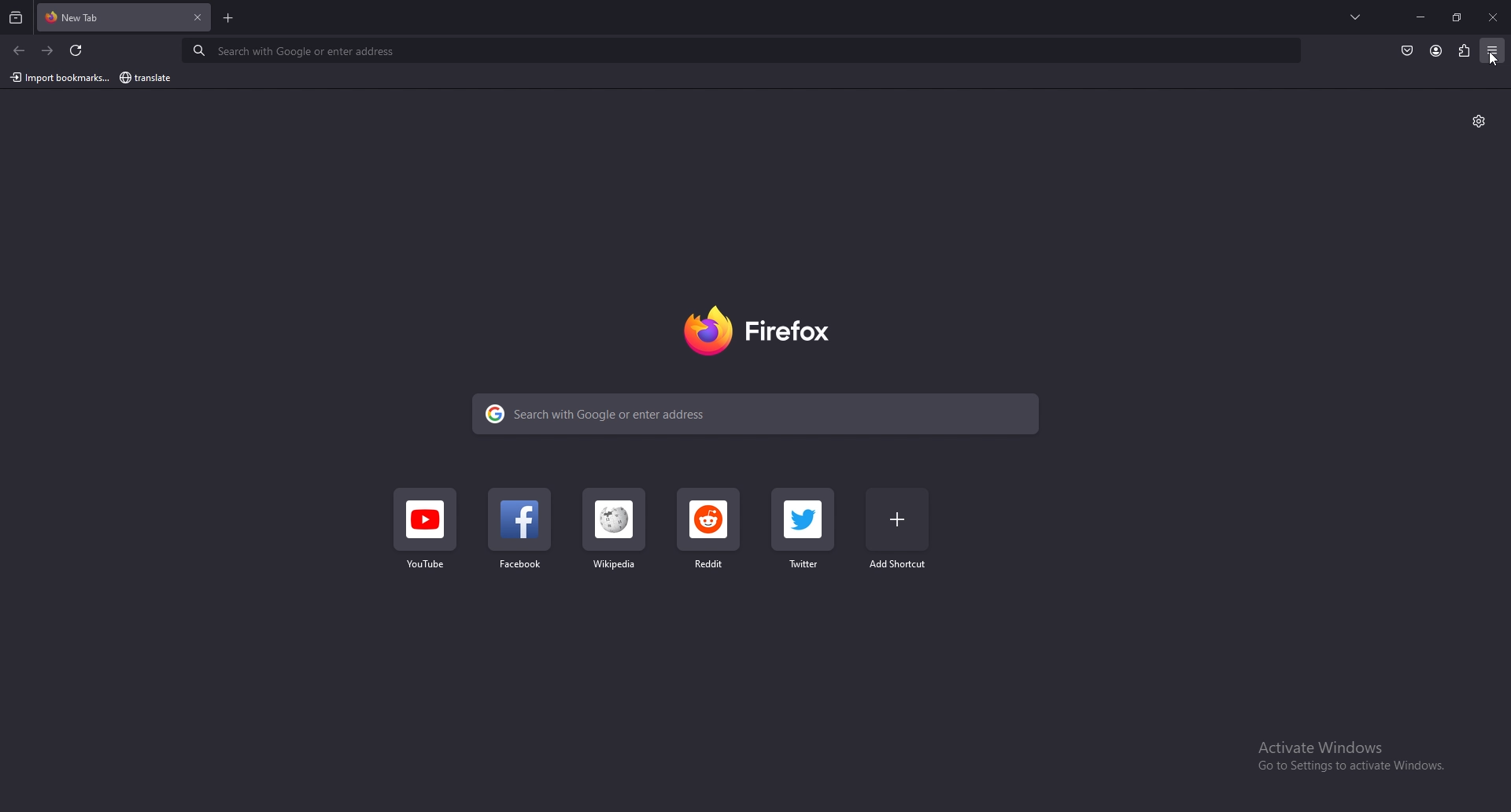  What do you see at coordinates (58, 77) in the screenshot?
I see `import bookmark` at bounding box center [58, 77].